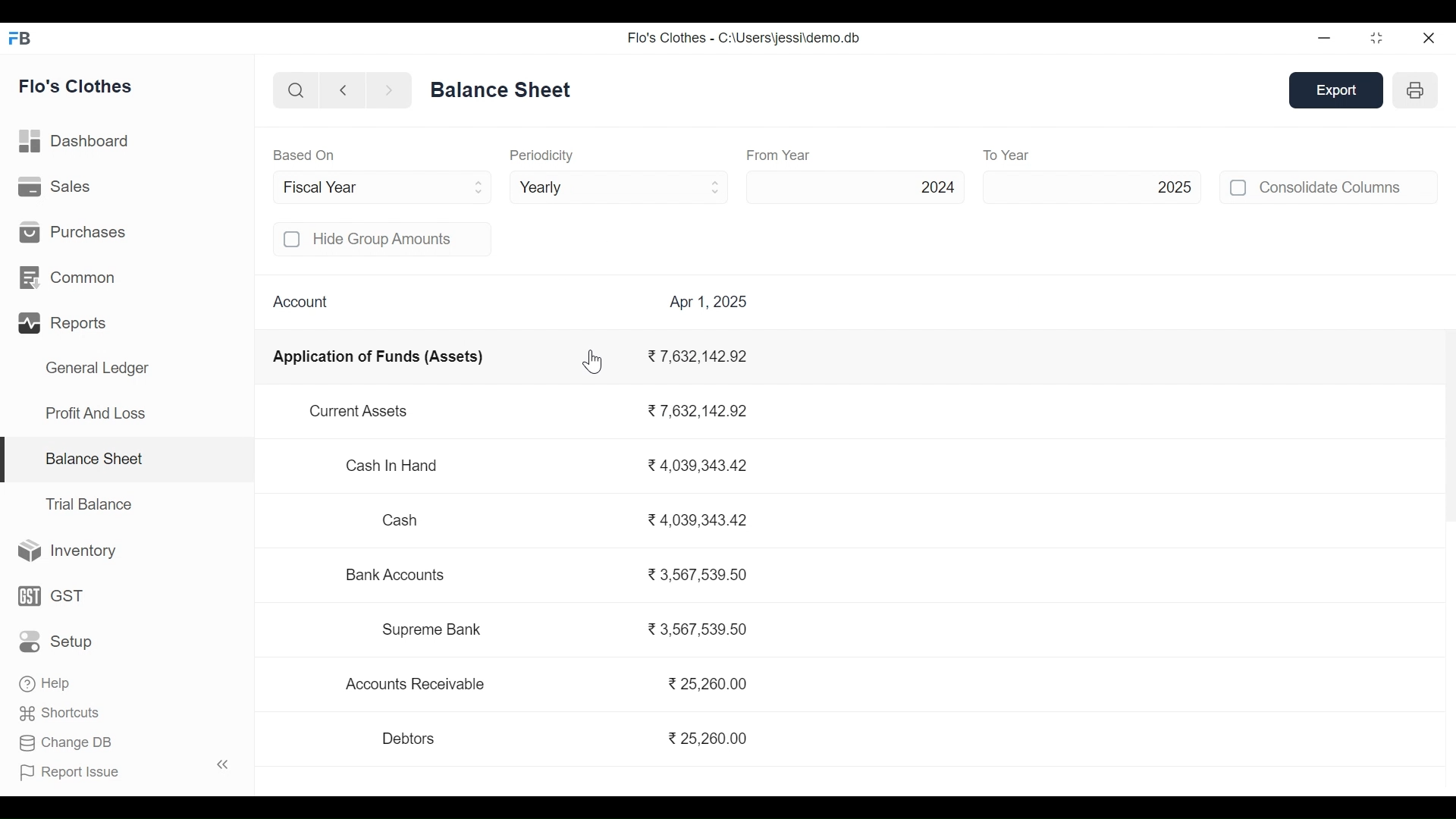 The image size is (1456, 819). Describe the element at coordinates (73, 231) in the screenshot. I see `Purchases ` at that location.